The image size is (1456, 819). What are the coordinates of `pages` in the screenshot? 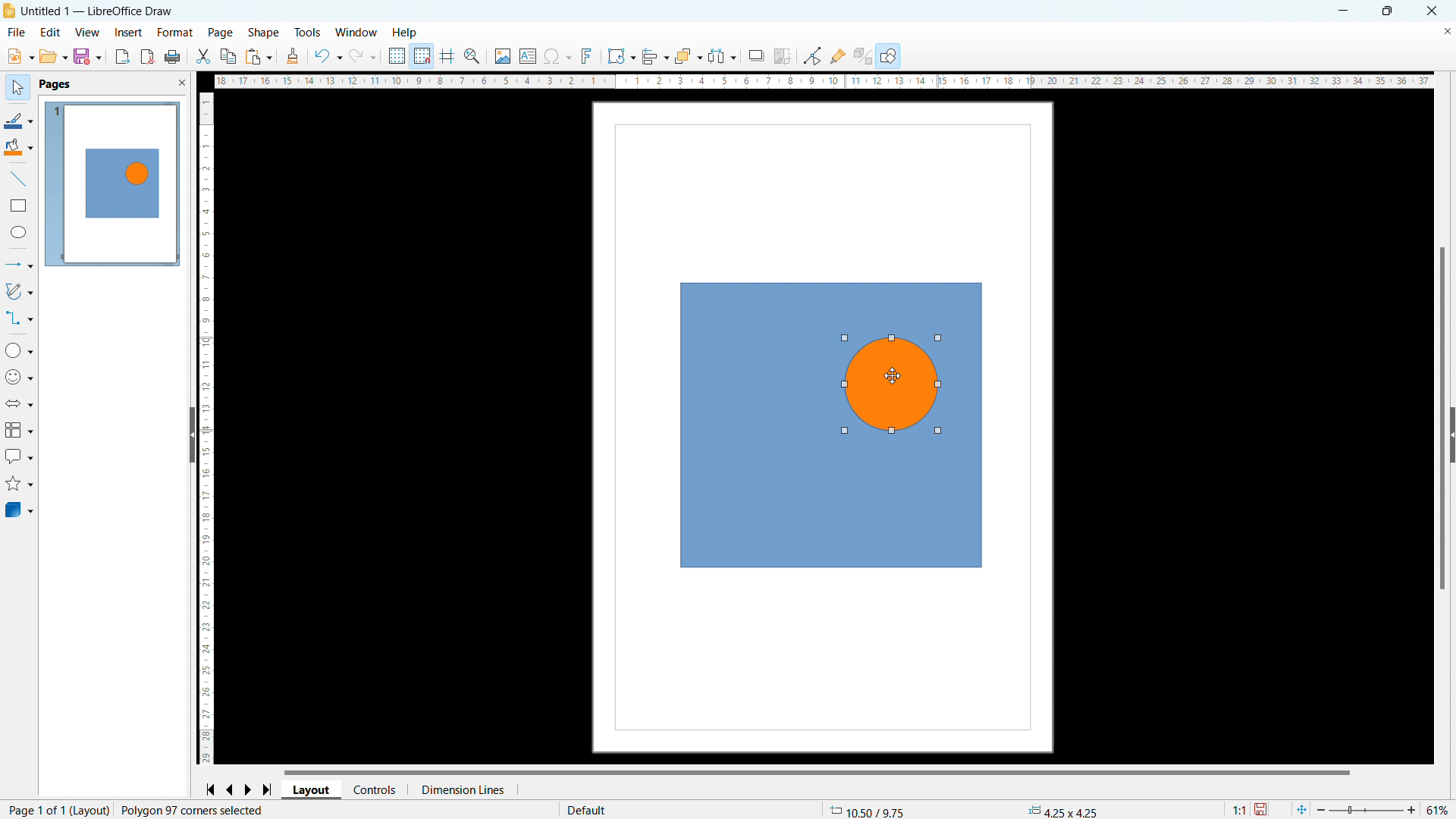 It's located at (56, 84).